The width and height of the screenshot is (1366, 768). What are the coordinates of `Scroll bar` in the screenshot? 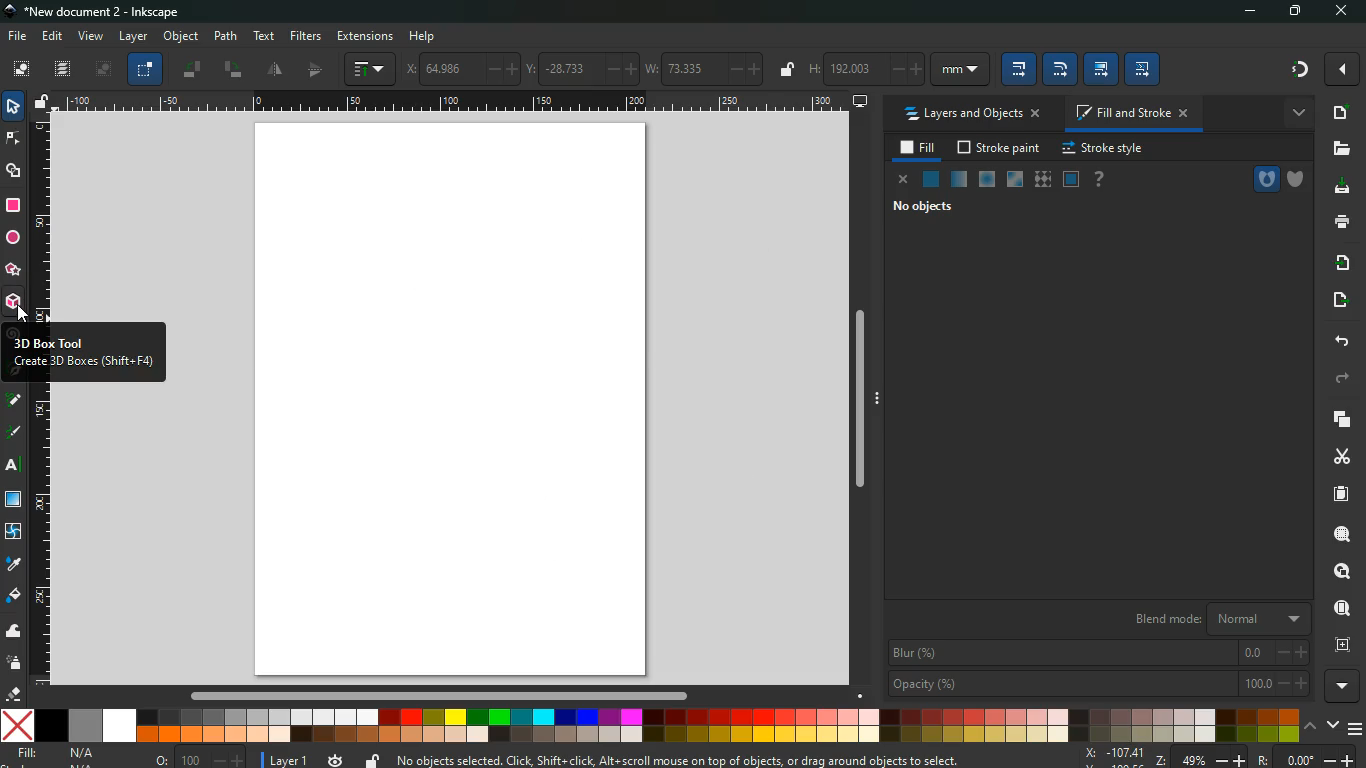 It's located at (436, 696).